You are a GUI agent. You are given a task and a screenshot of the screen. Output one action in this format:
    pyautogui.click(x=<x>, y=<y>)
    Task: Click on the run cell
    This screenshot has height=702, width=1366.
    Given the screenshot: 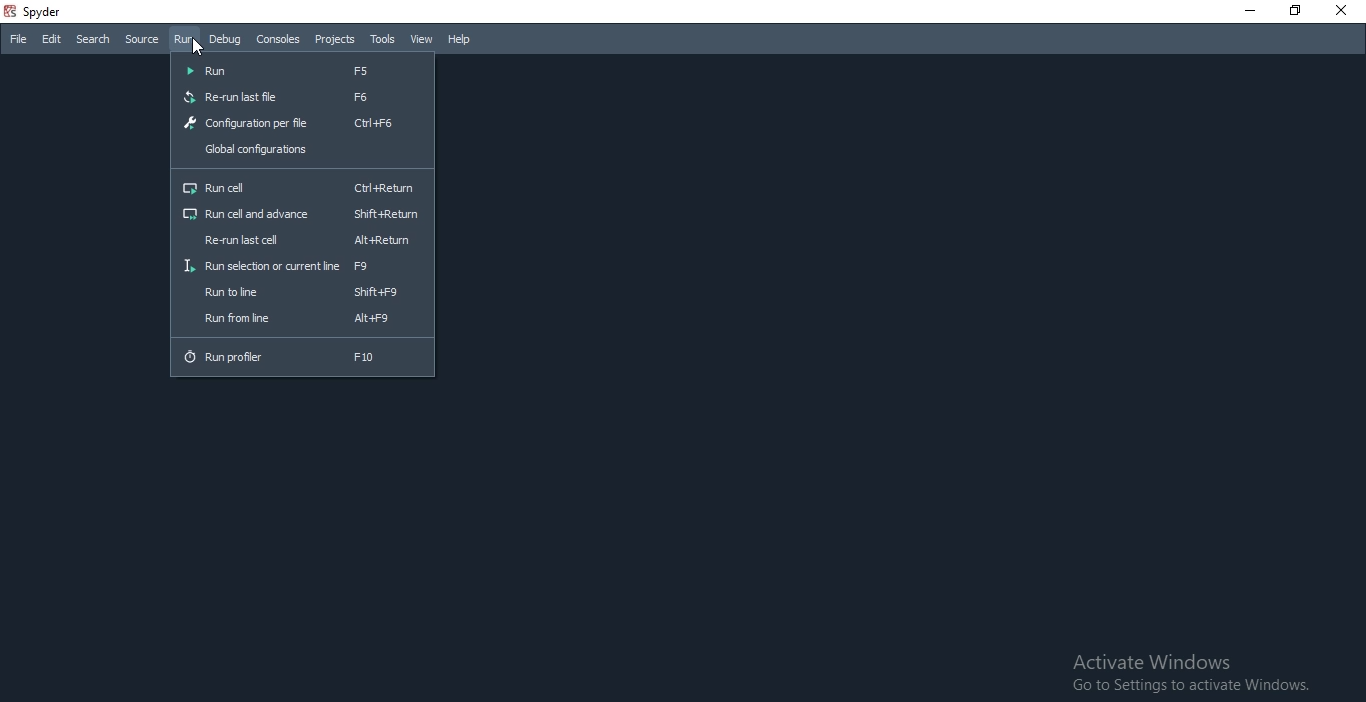 What is the action you would take?
    pyautogui.click(x=305, y=185)
    